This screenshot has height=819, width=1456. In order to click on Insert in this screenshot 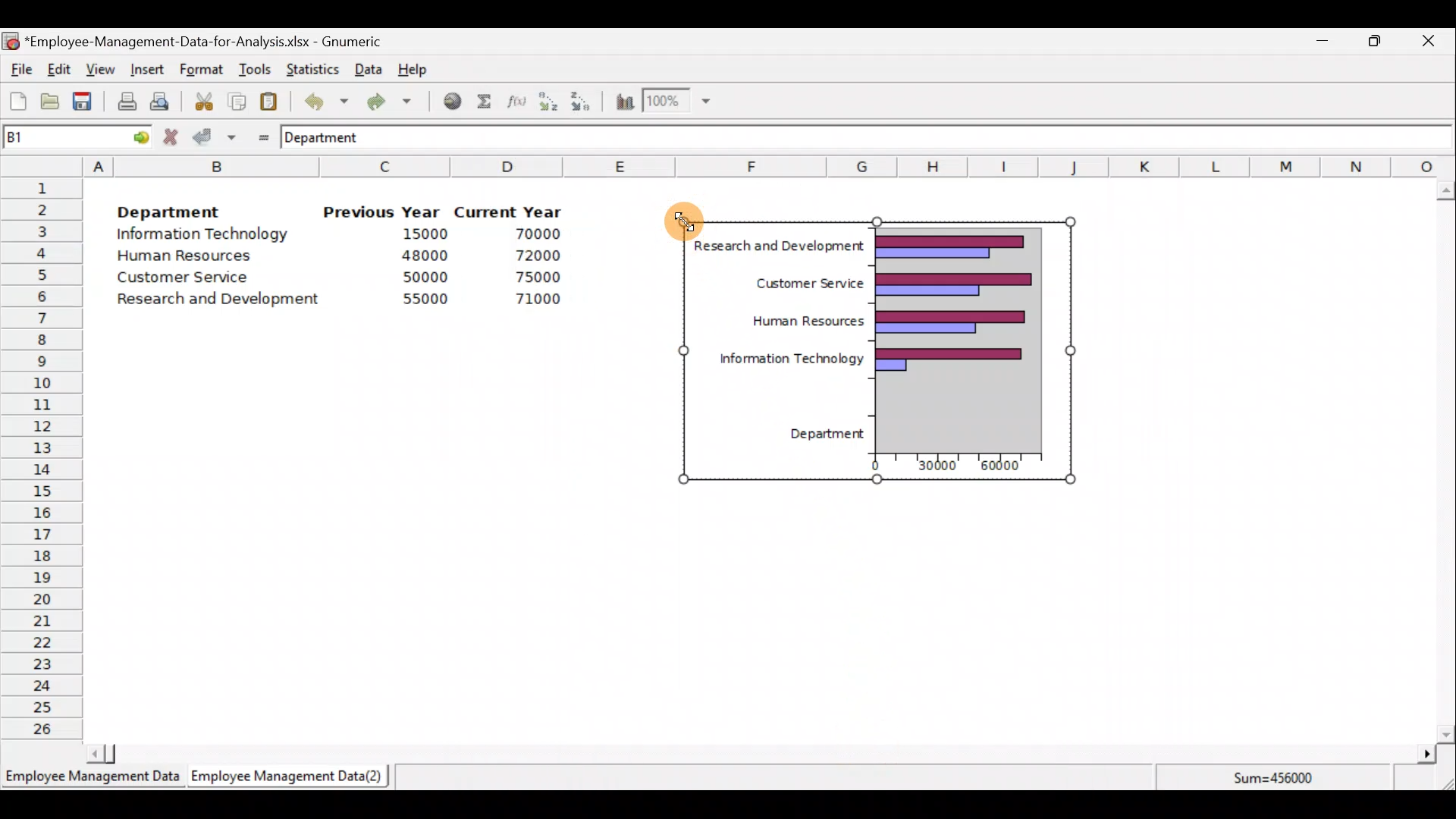, I will do `click(146, 70)`.